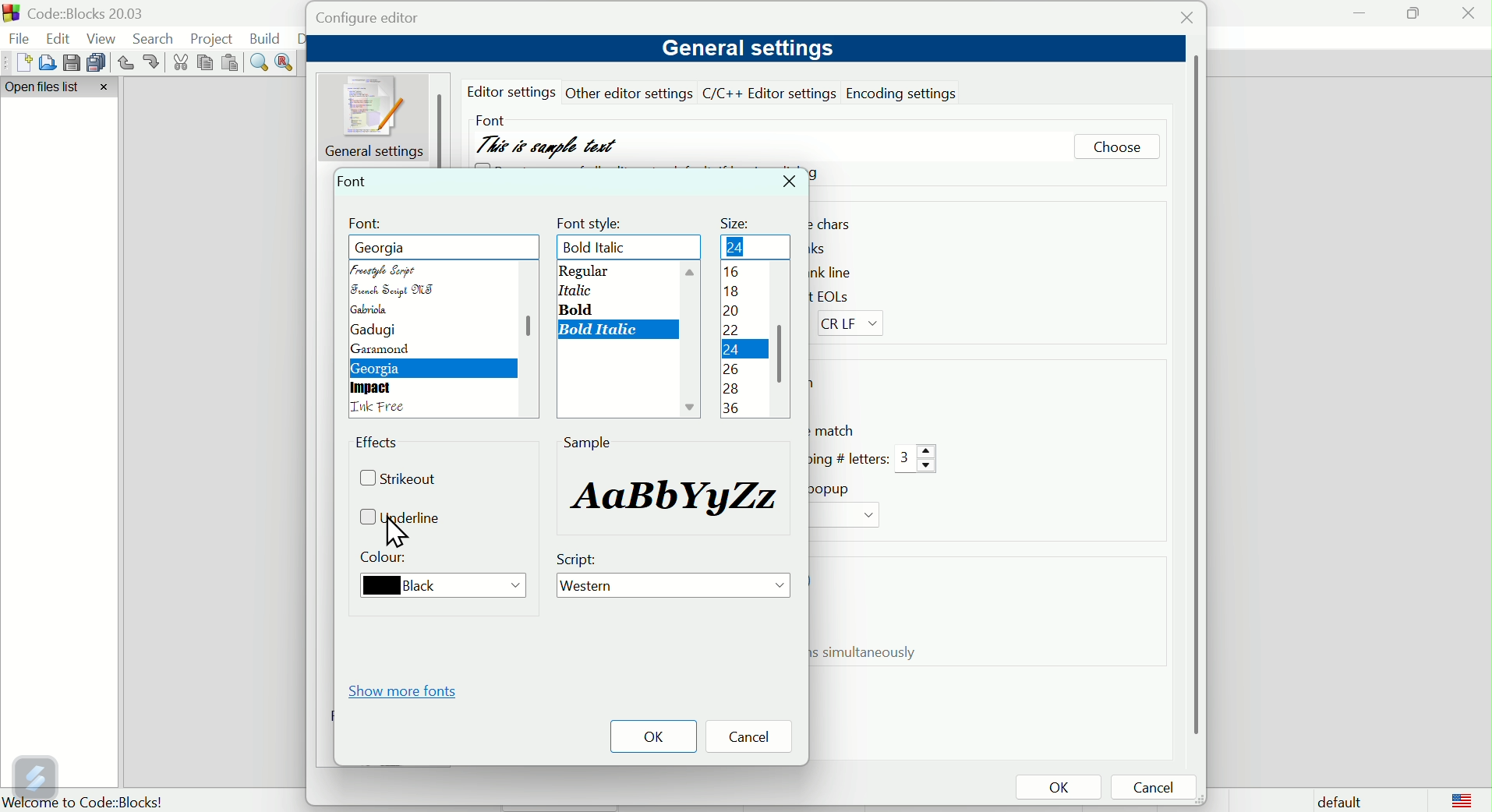 This screenshot has width=1492, height=812. What do you see at coordinates (489, 117) in the screenshot?
I see `Font` at bounding box center [489, 117].